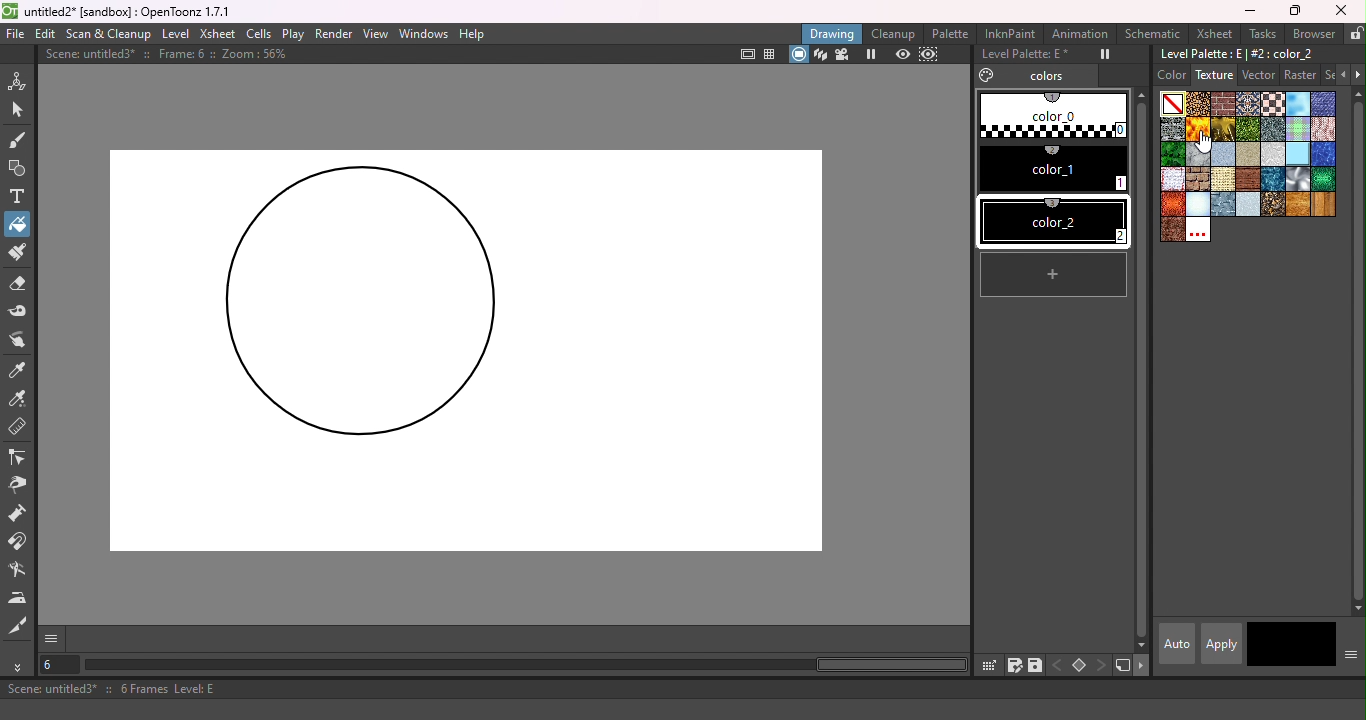  I want to click on Camera view, so click(845, 54).